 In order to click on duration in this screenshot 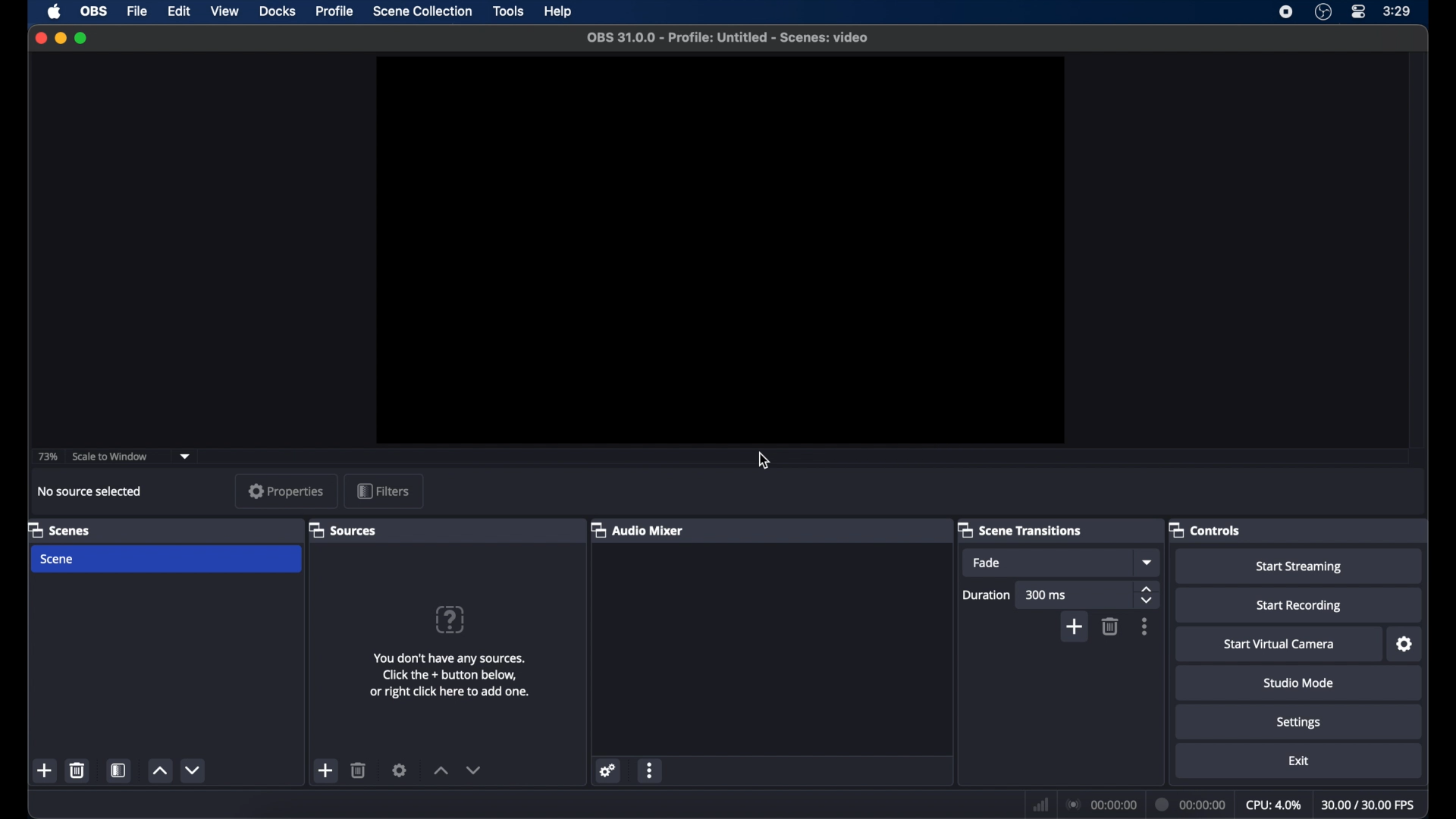, I will do `click(987, 595)`.